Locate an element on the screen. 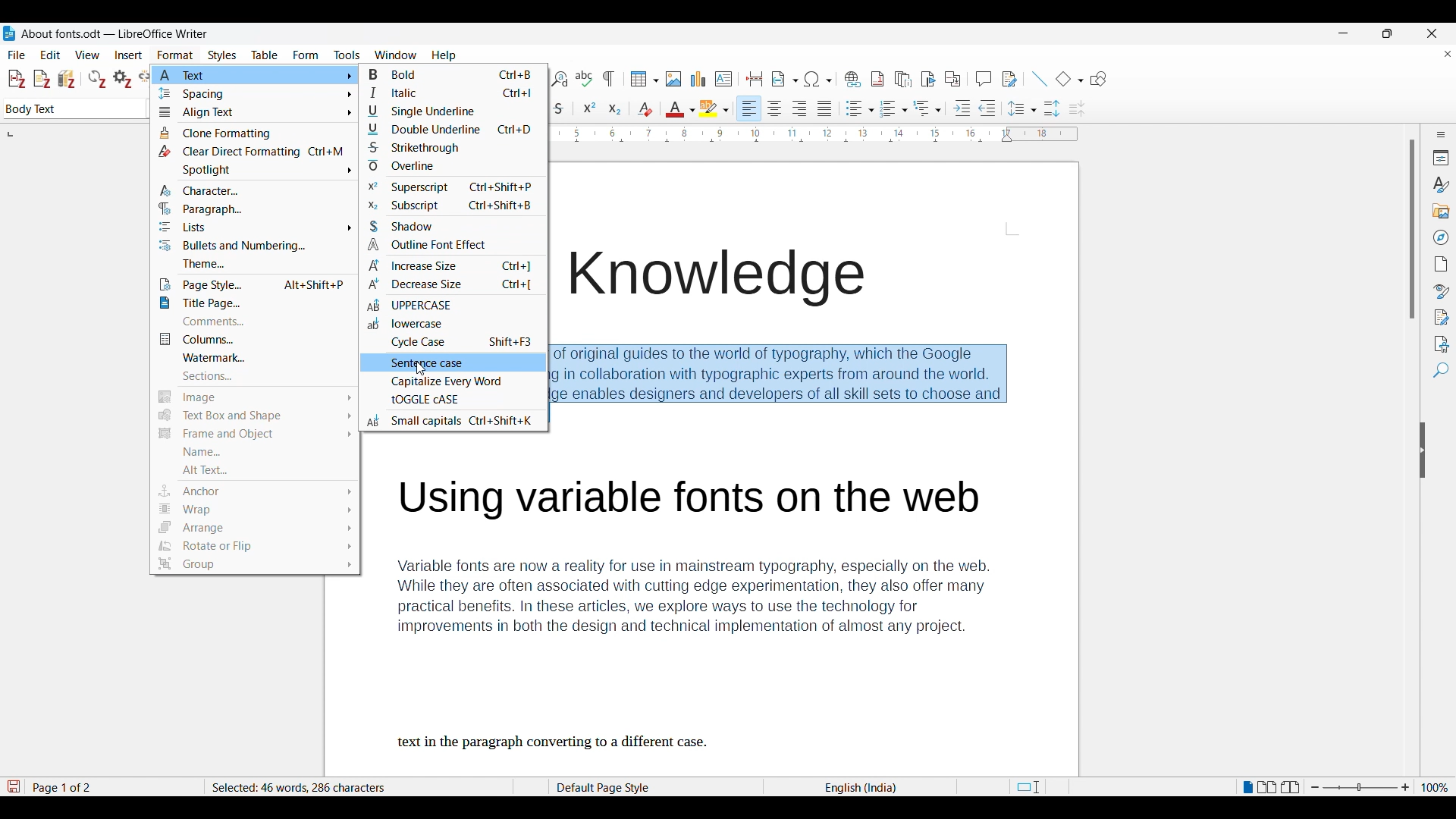 The image size is (1456, 819). Insert line is located at coordinates (1039, 79).